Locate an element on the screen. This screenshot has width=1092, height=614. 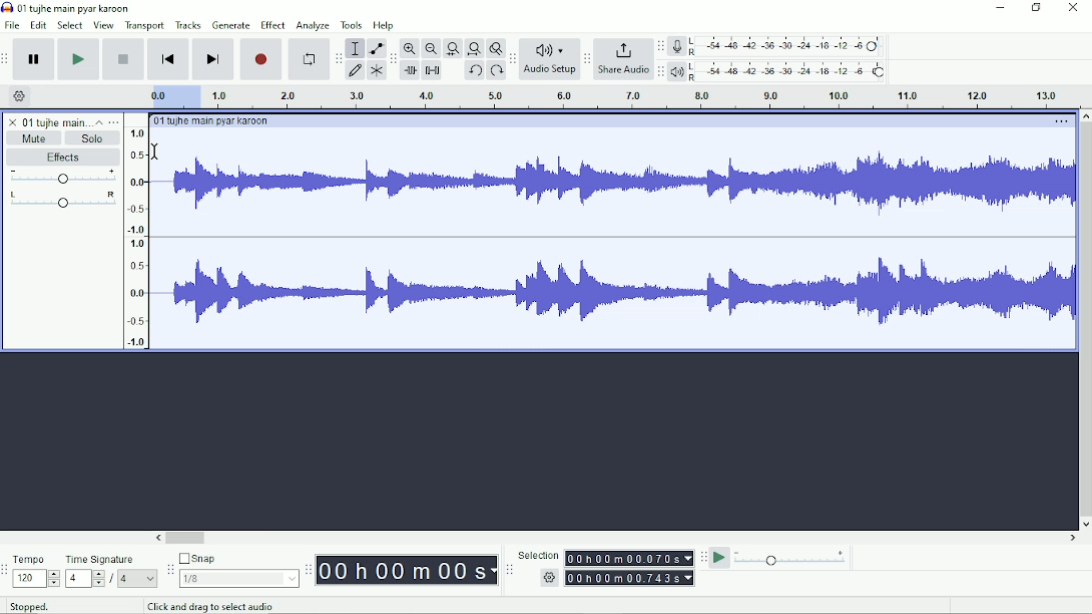
Mute is located at coordinates (35, 138).